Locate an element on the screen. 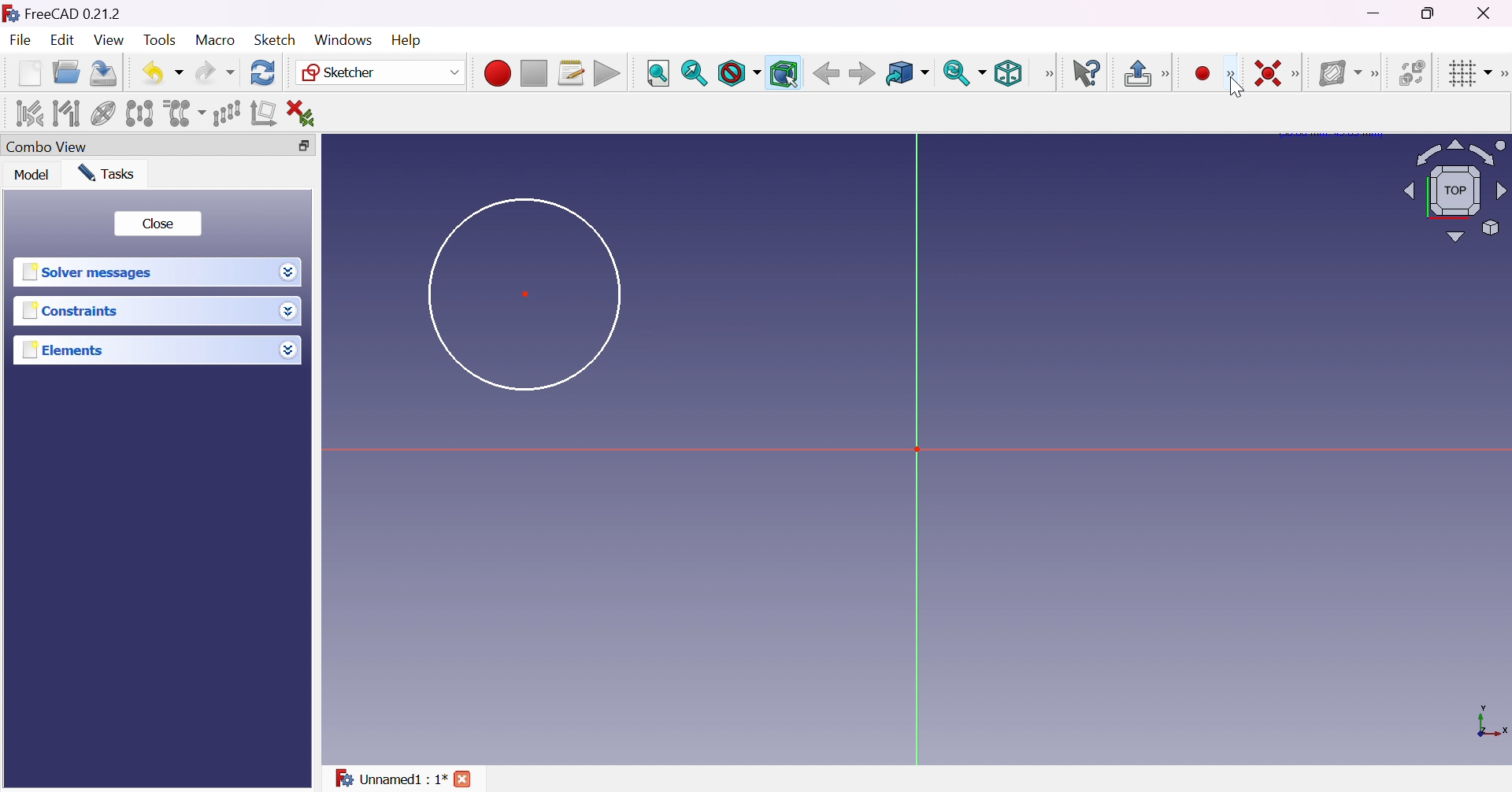  Cursor is located at coordinates (1239, 89).